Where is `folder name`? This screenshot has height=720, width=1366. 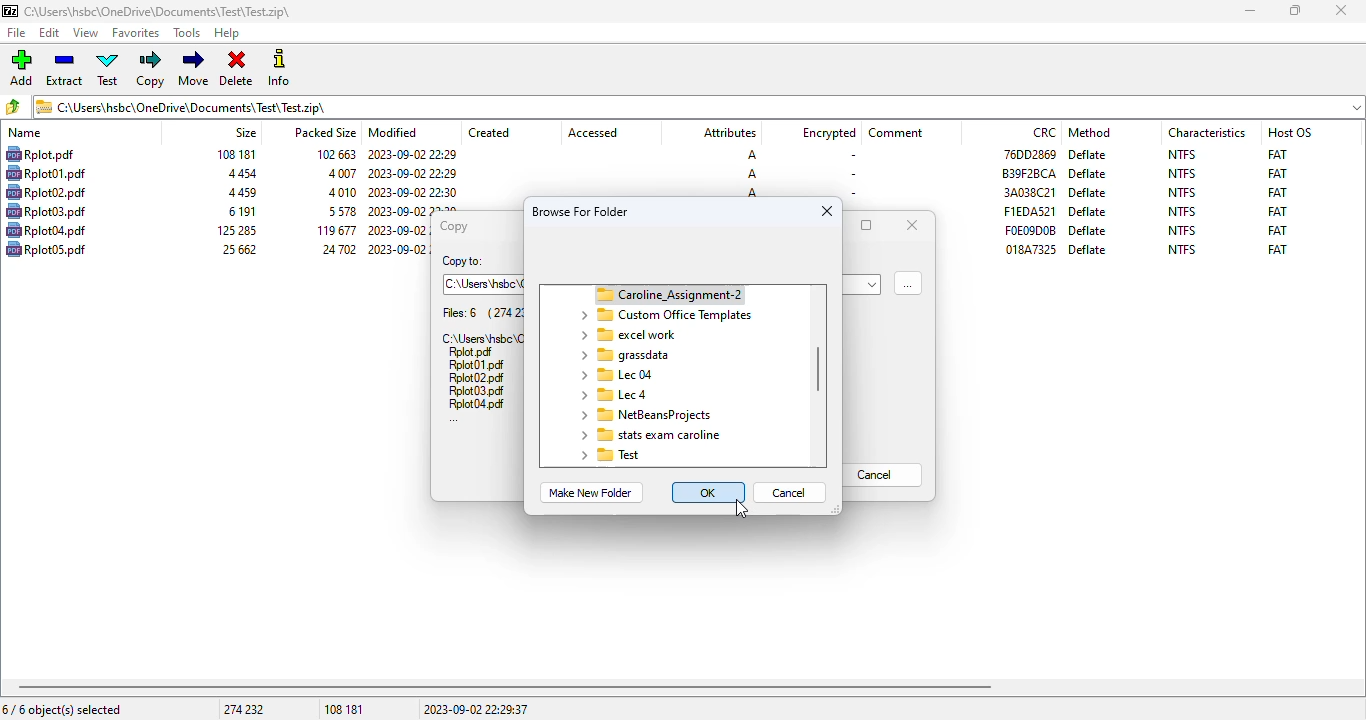 folder name is located at coordinates (612, 394).